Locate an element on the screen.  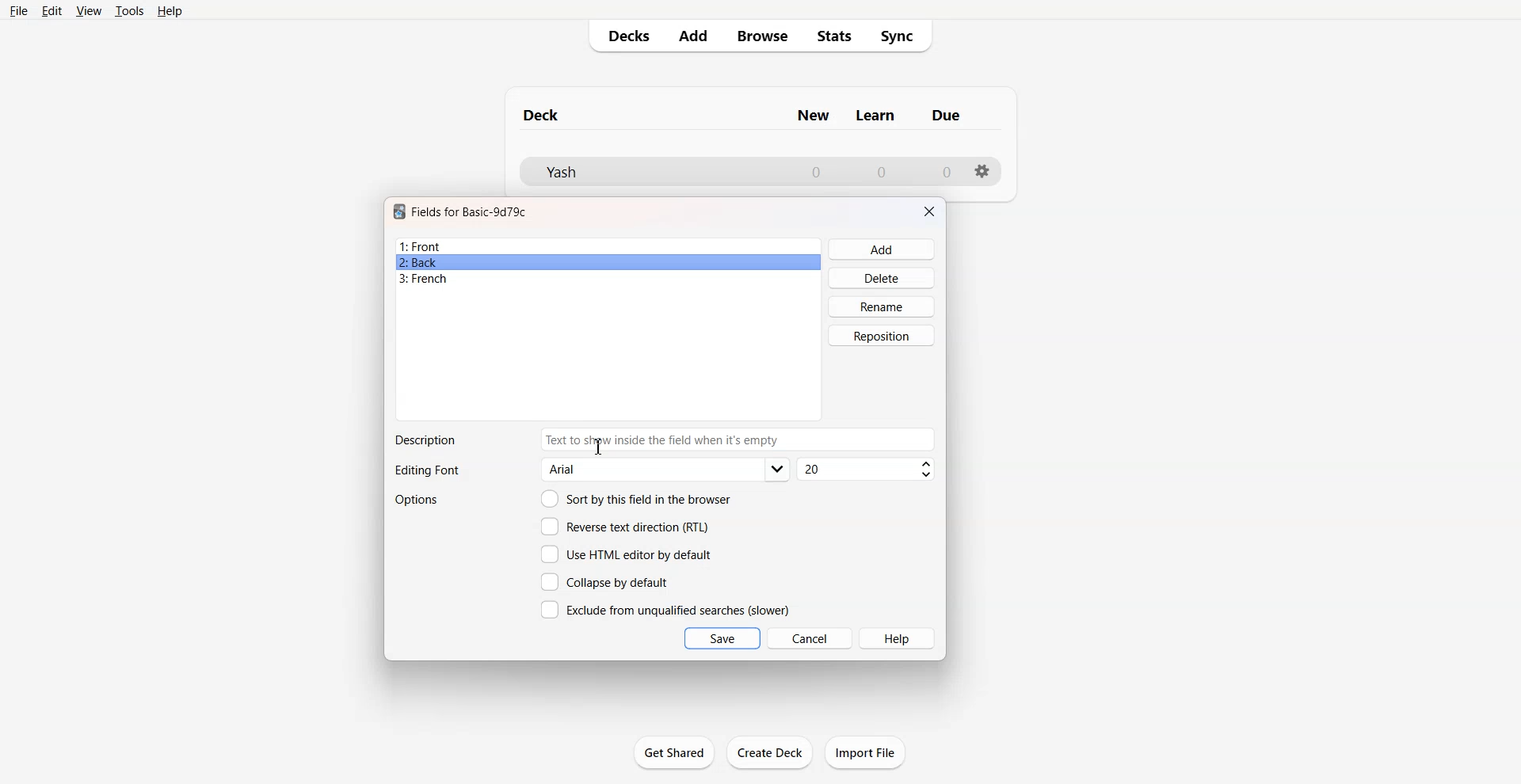
Save is located at coordinates (722, 638).